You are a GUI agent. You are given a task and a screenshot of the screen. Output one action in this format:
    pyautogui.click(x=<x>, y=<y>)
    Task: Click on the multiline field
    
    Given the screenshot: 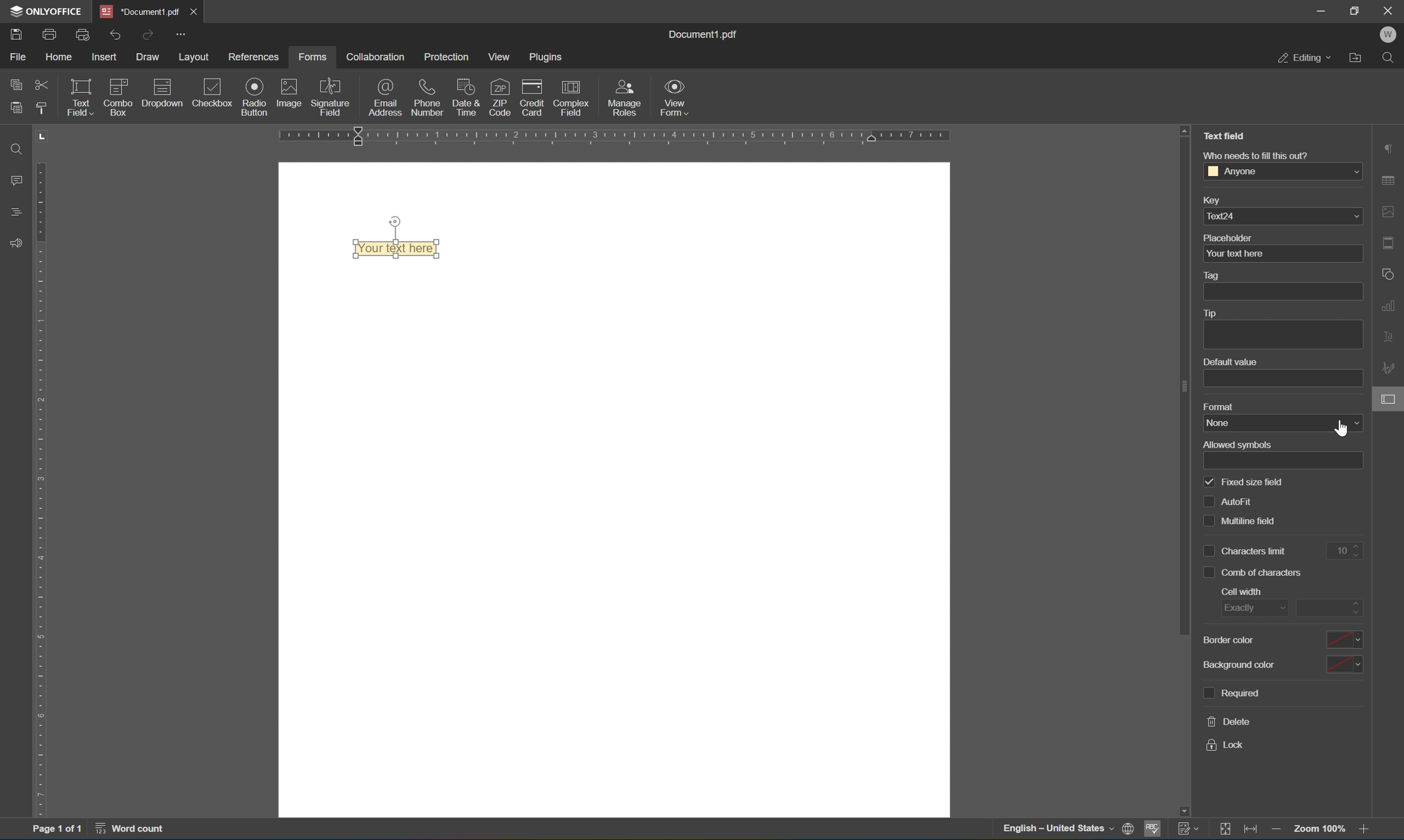 What is the action you would take?
    pyautogui.click(x=1241, y=521)
    